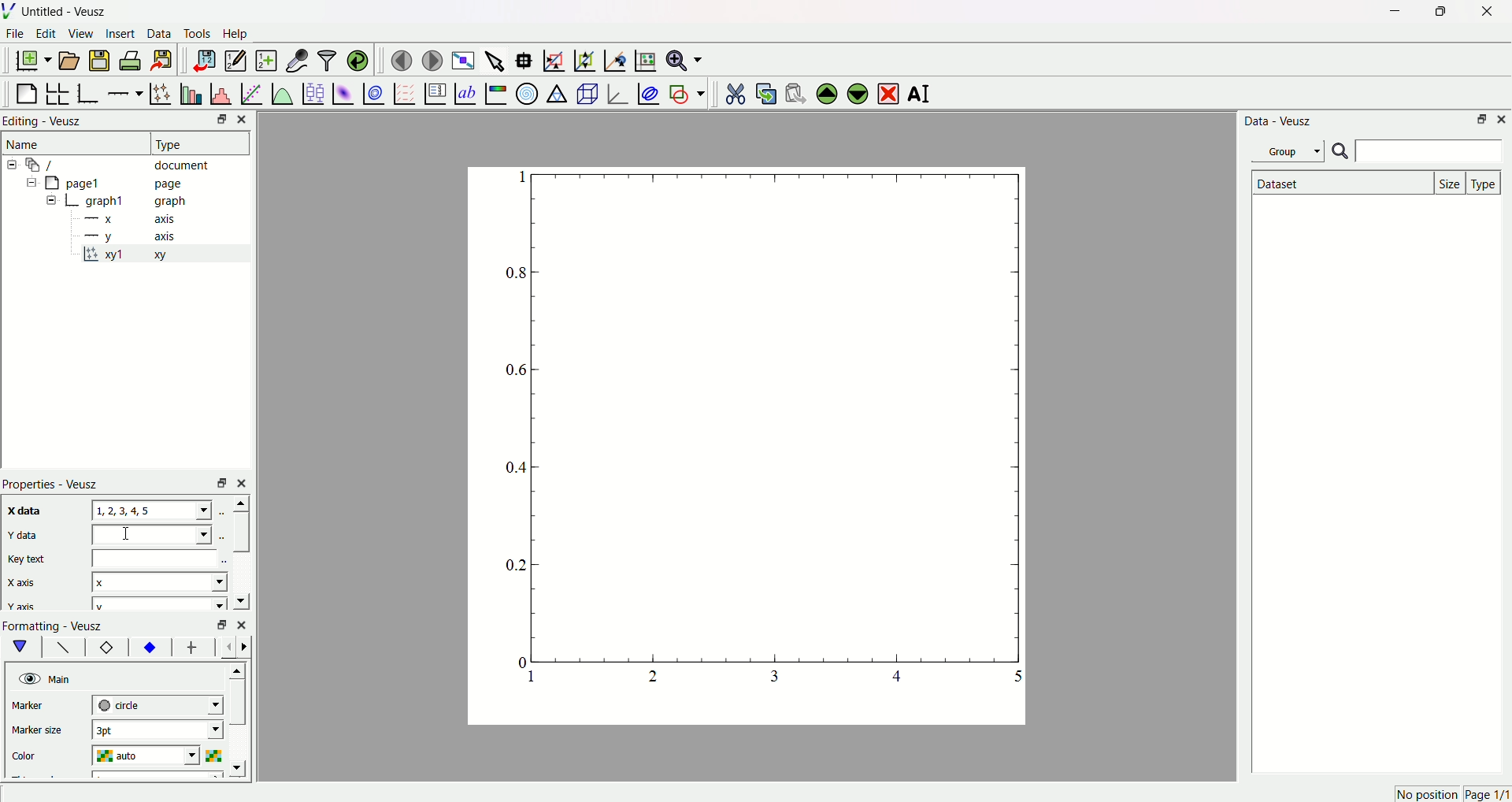 This screenshot has height=802, width=1512. What do you see at coordinates (169, 60) in the screenshot?
I see `export document` at bounding box center [169, 60].